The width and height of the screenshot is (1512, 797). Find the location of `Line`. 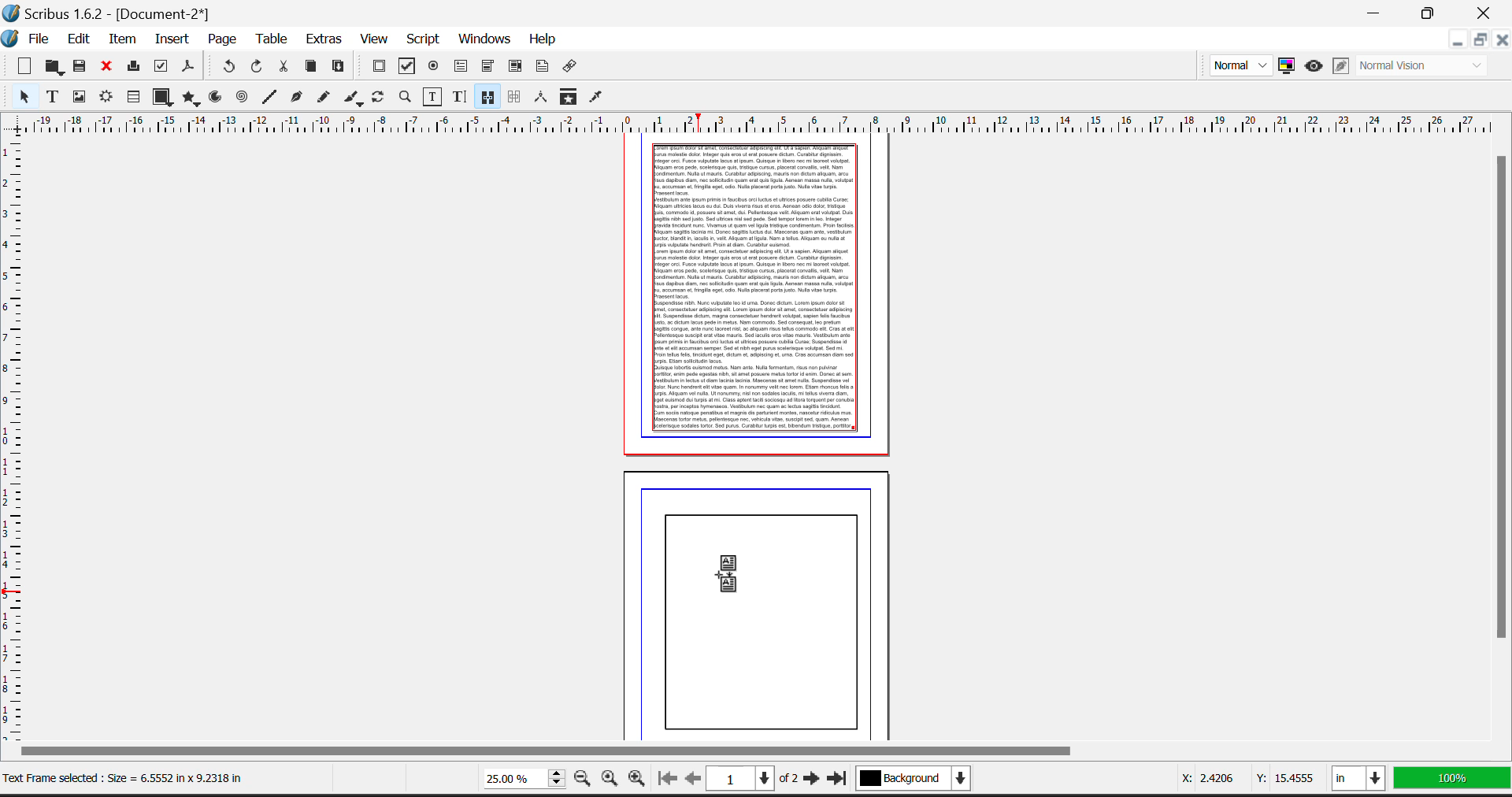

Line is located at coordinates (269, 98).